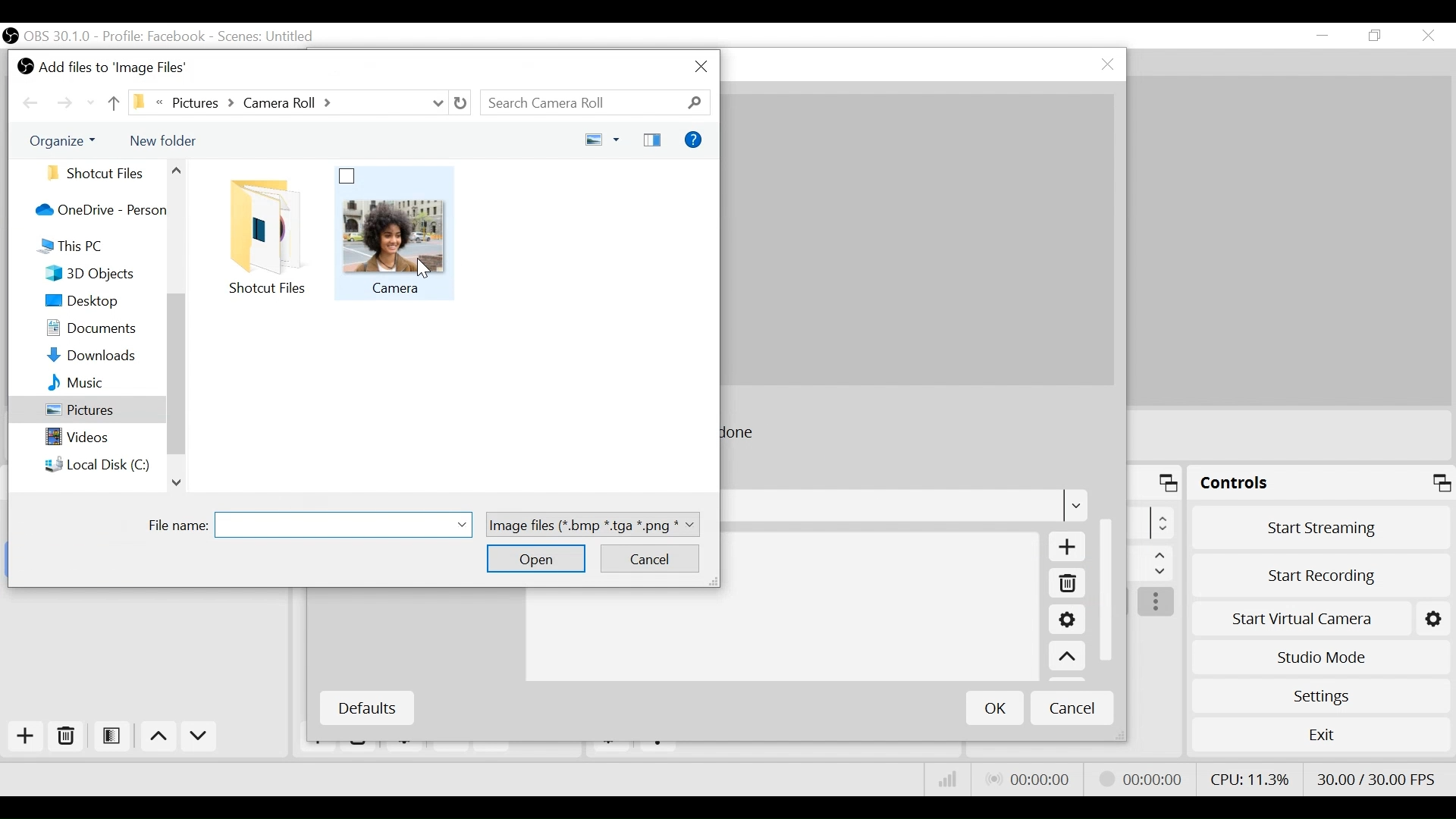 Image resolution: width=1456 pixels, height=819 pixels. I want to click on Folder, so click(101, 172).